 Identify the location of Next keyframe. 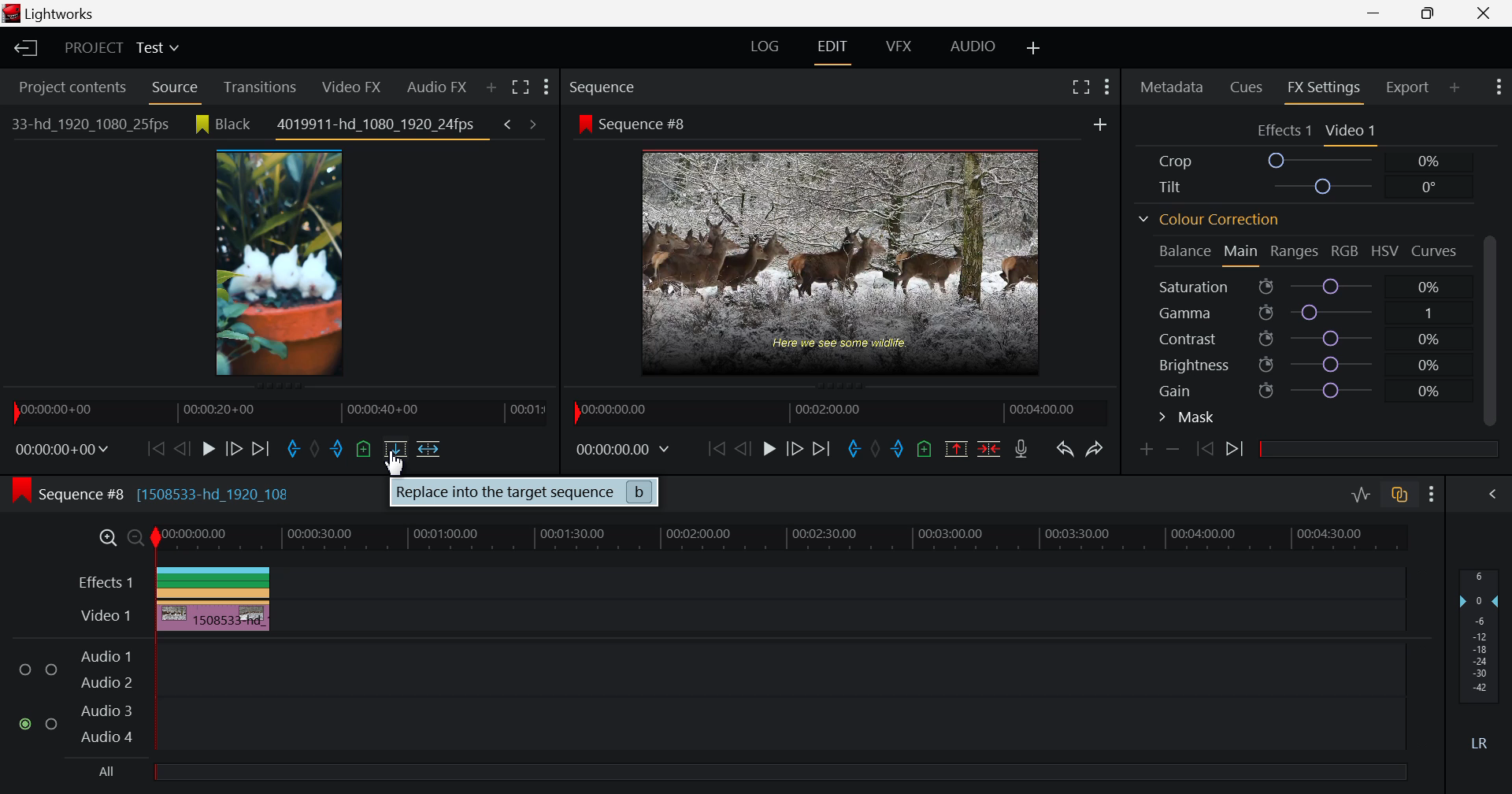
(1235, 449).